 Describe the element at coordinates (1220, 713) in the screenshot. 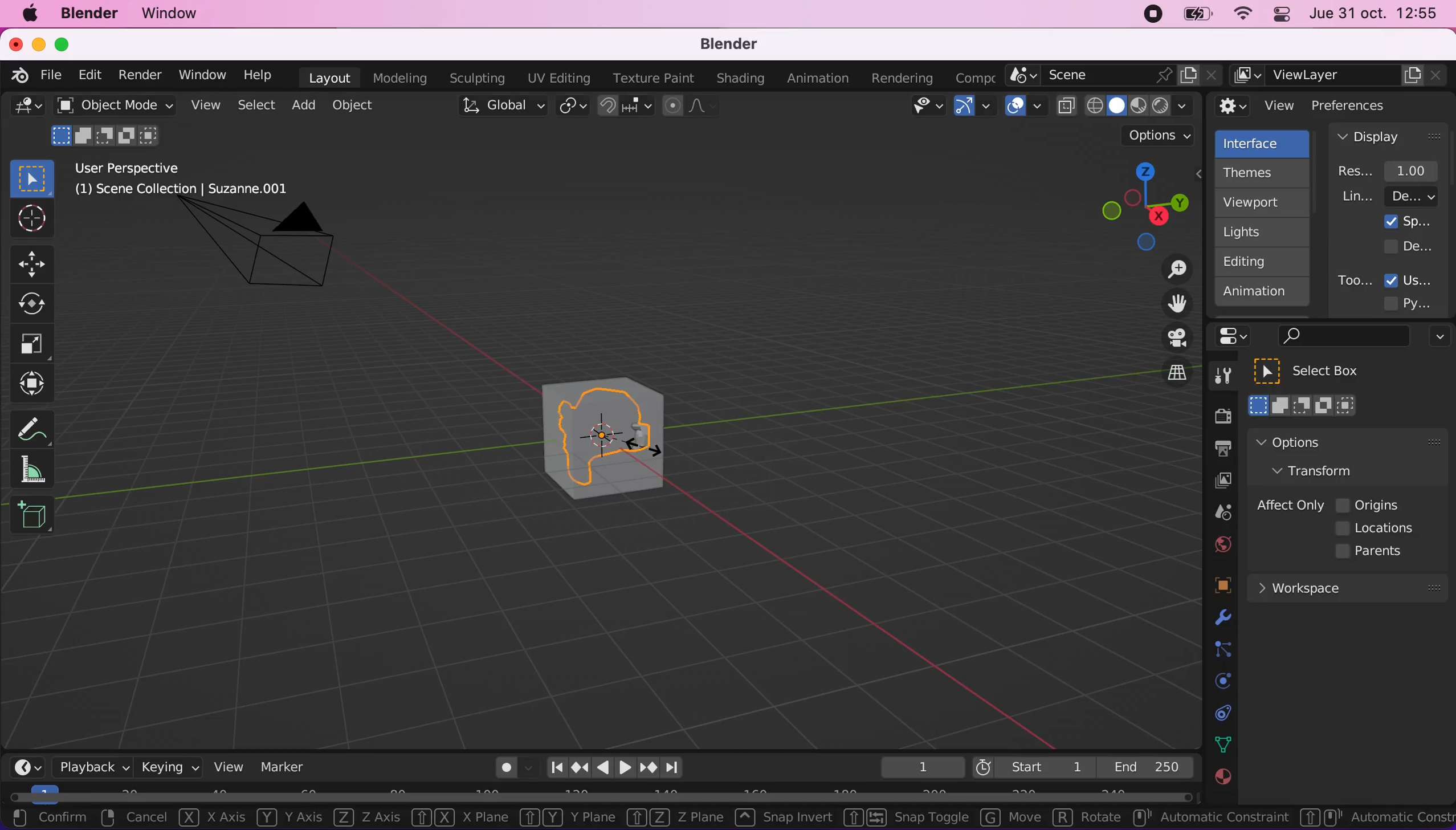

I see `collection` at that location.